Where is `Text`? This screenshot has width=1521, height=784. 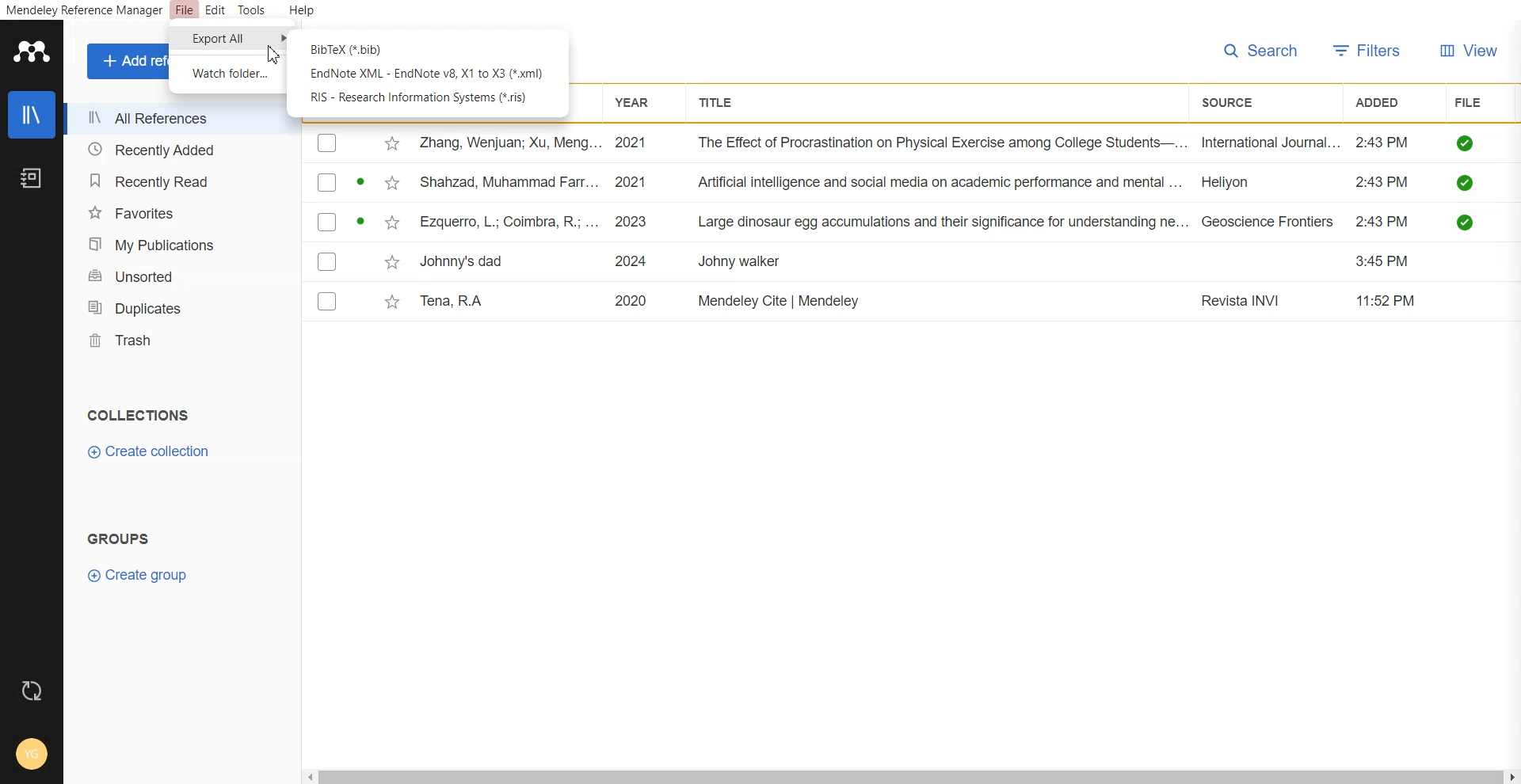 Text is located at coordinates (121, 537).